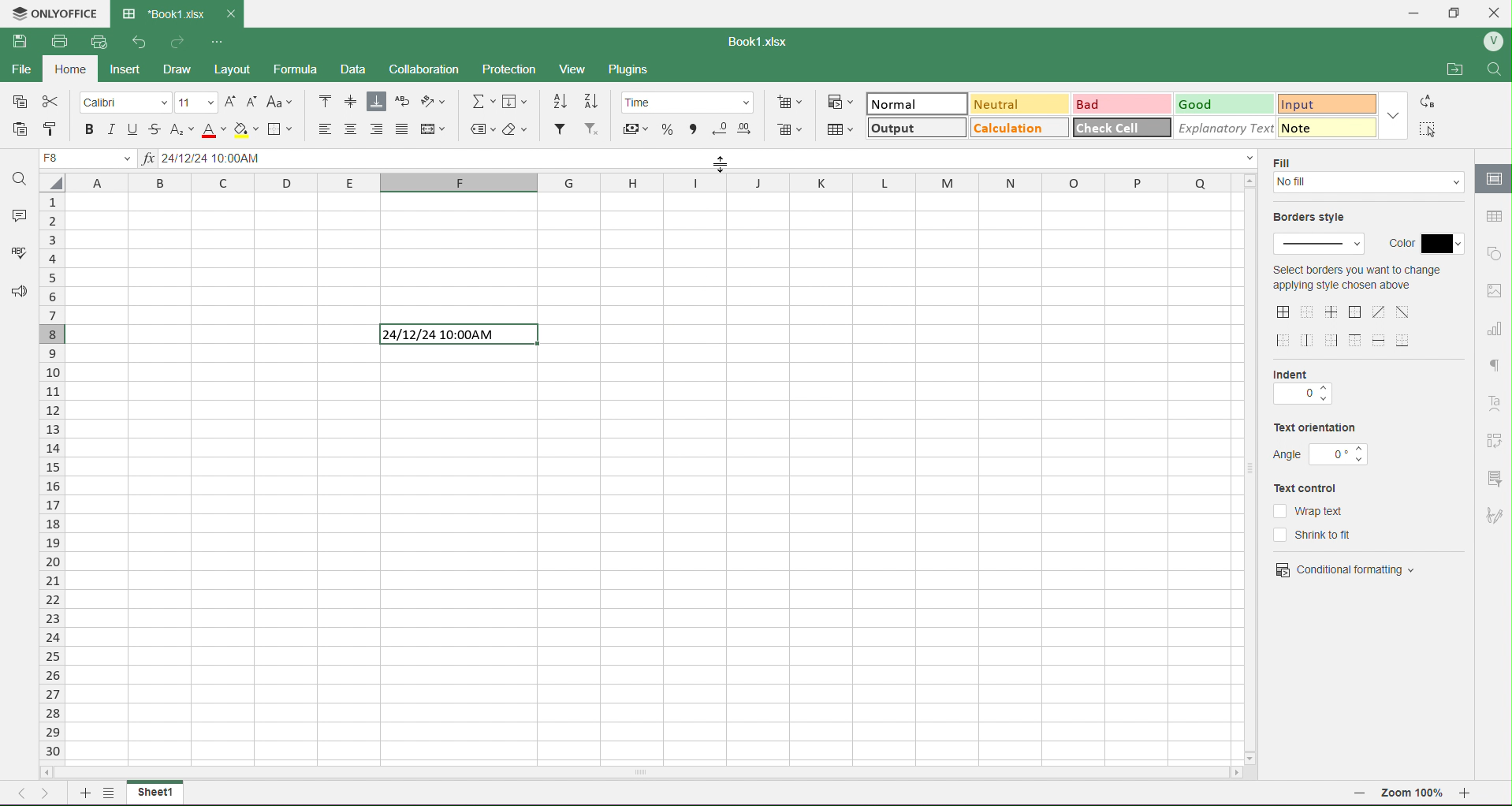  What do you see at coordinates (439, 103) in the screenshot?
I see `Orientation` at bounding box center [439, 103].